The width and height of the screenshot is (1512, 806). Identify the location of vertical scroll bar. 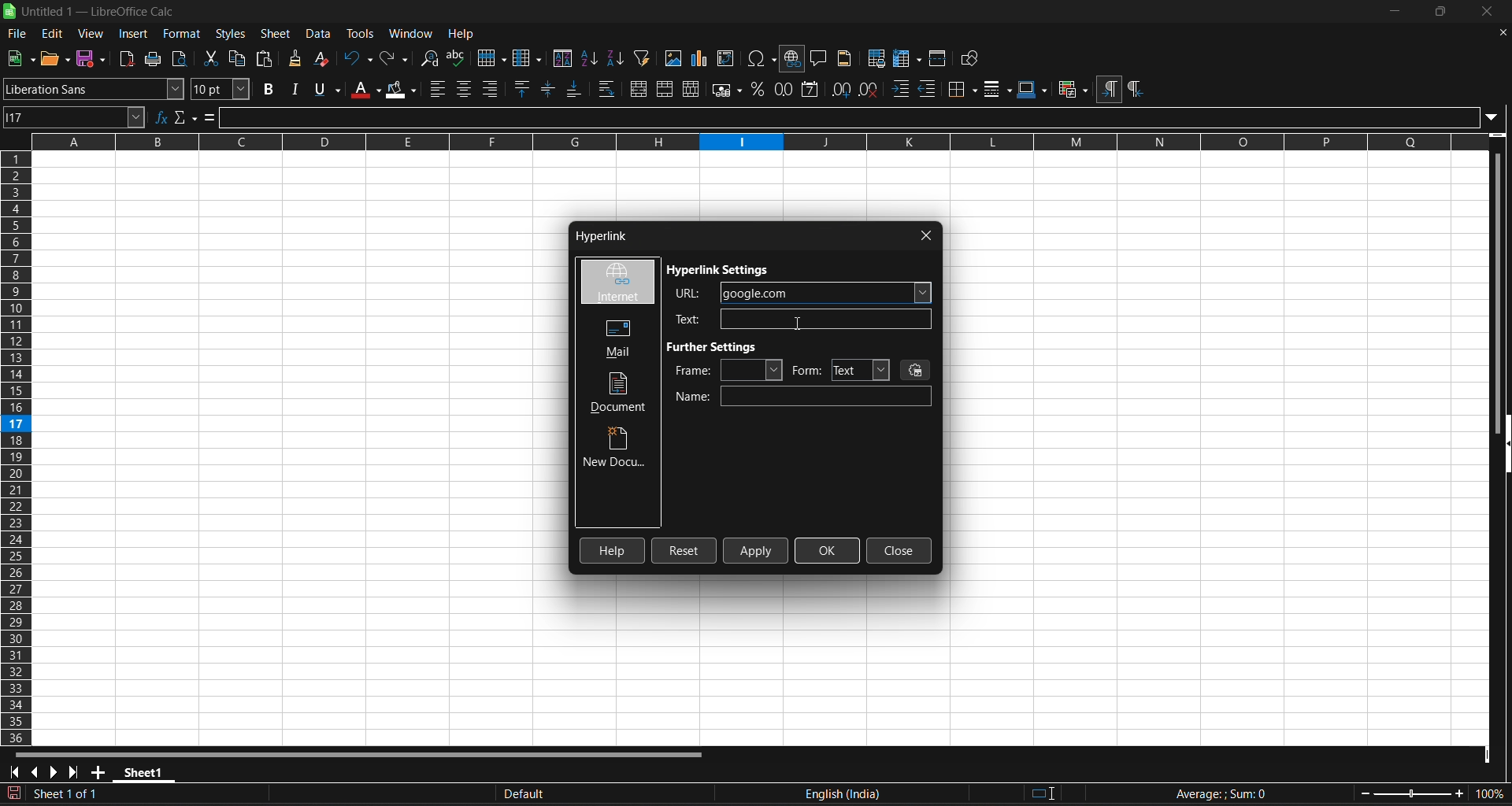
(1503, 278).